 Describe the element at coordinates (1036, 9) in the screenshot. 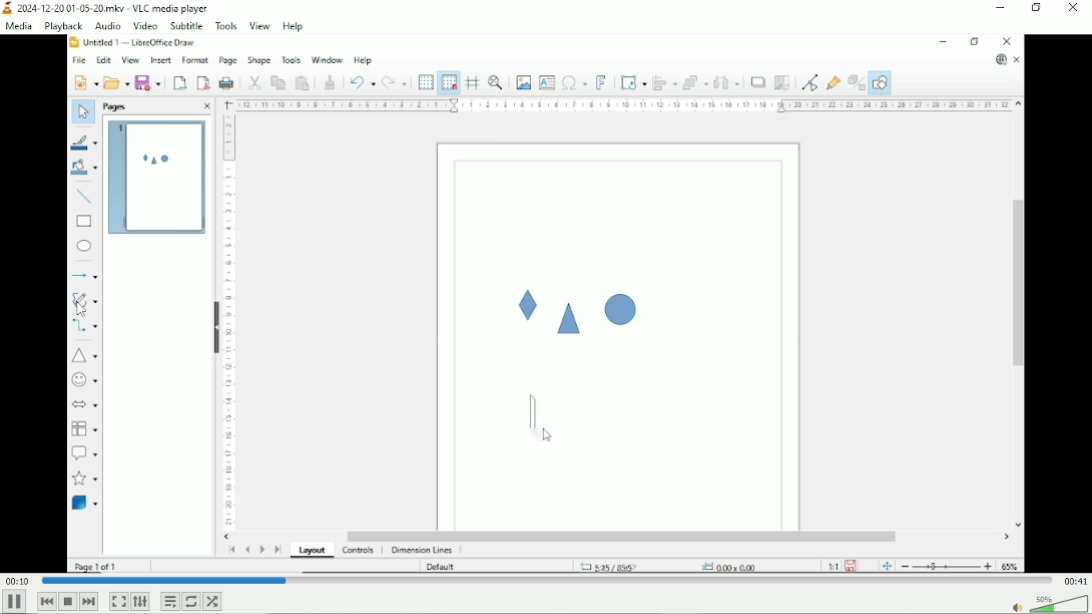

I see `Restore down` at that location.